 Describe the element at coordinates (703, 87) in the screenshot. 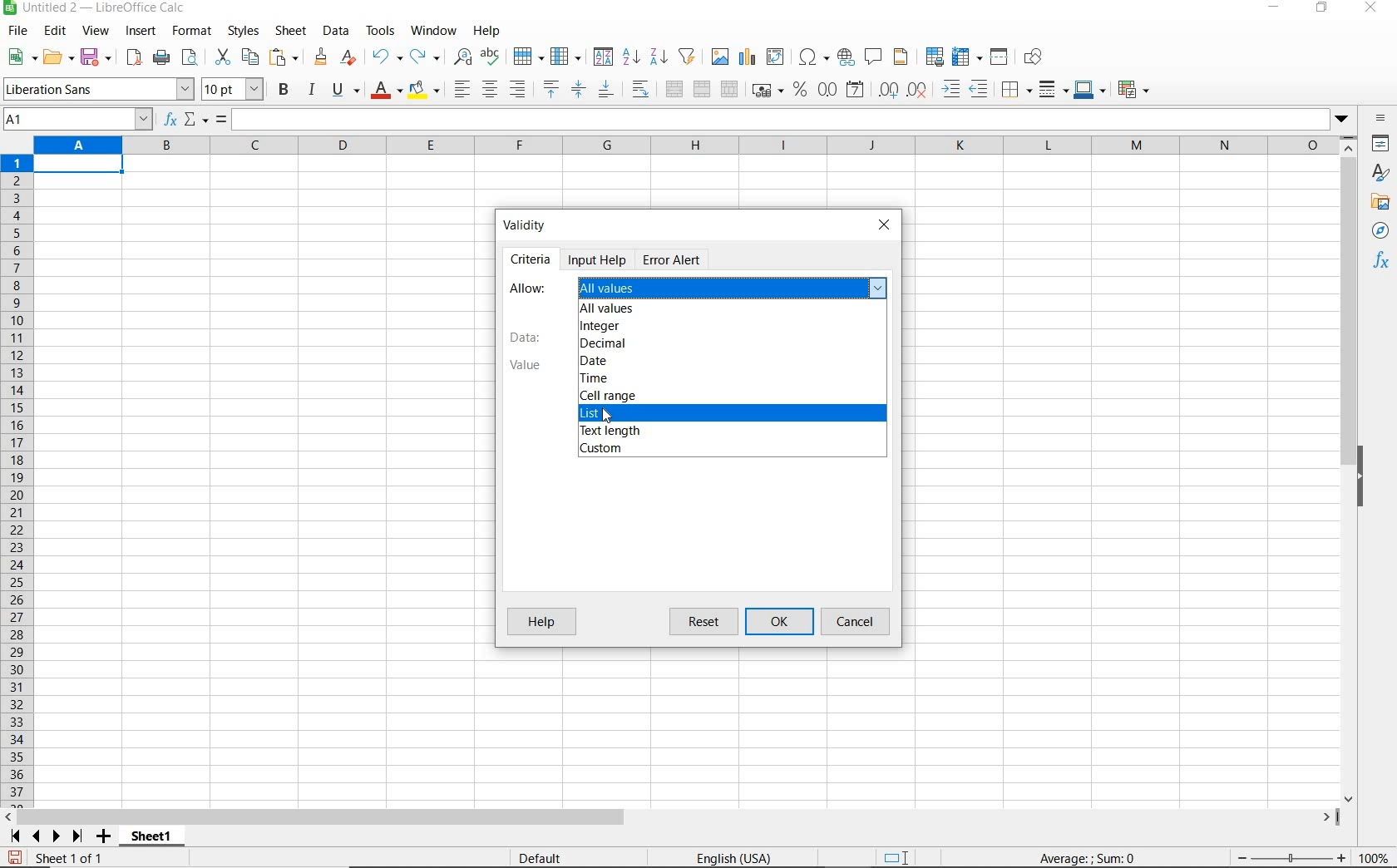

I see `merge cells` at that location.